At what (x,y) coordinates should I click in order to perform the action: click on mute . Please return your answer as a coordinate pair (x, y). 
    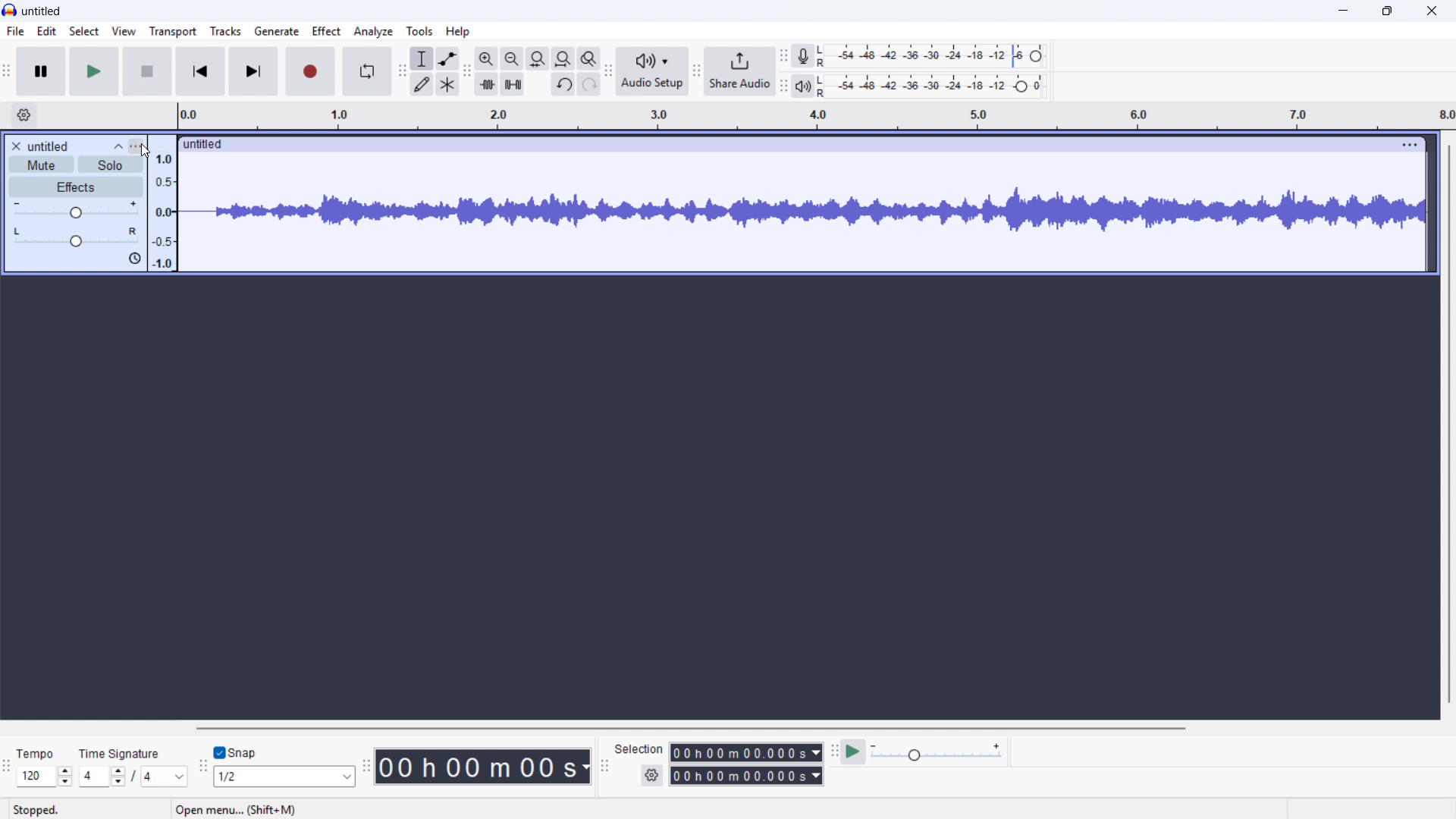
    Looking at the image, I should click on (41, 165).